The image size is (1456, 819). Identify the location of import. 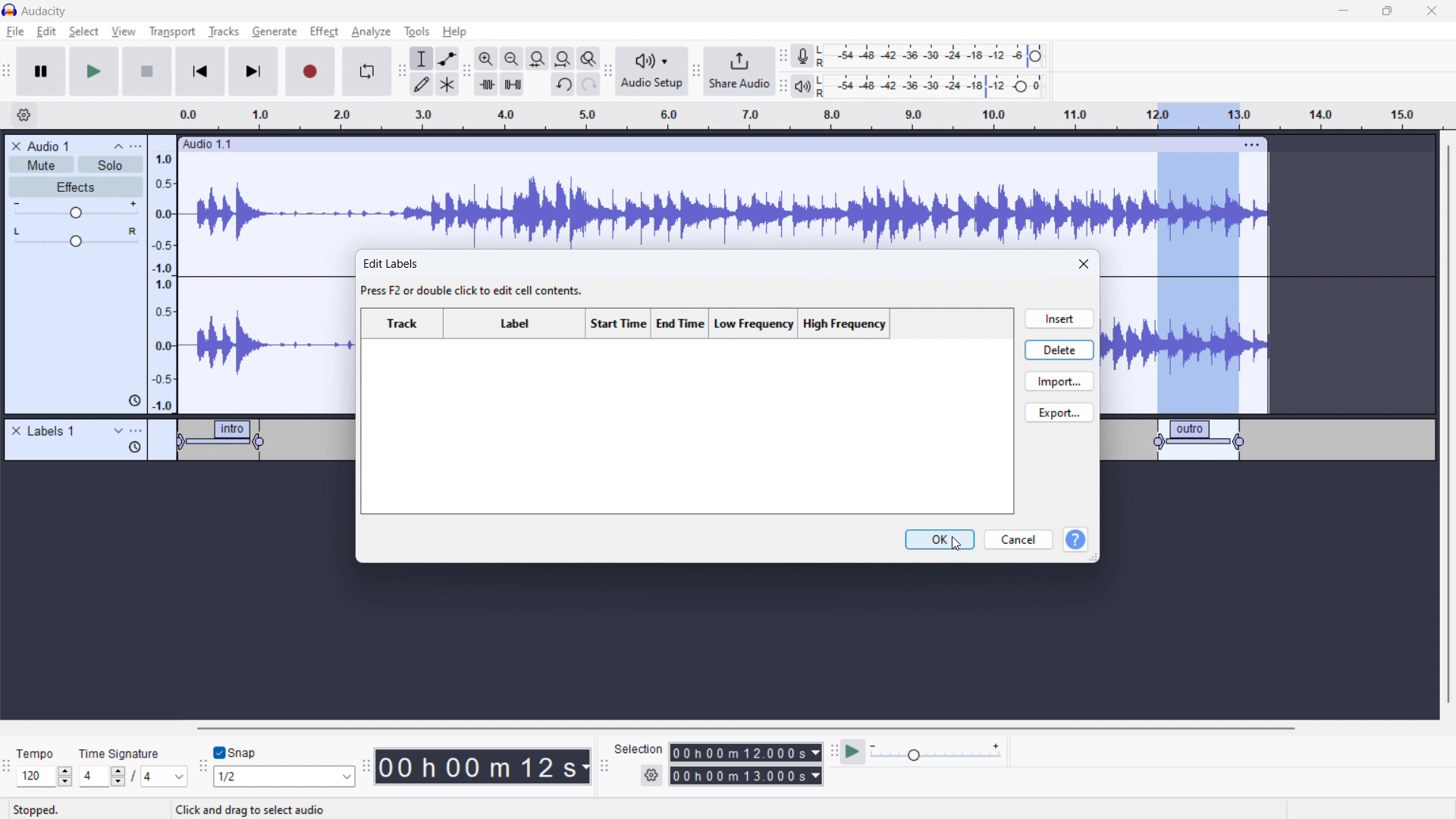
(1059, 381).